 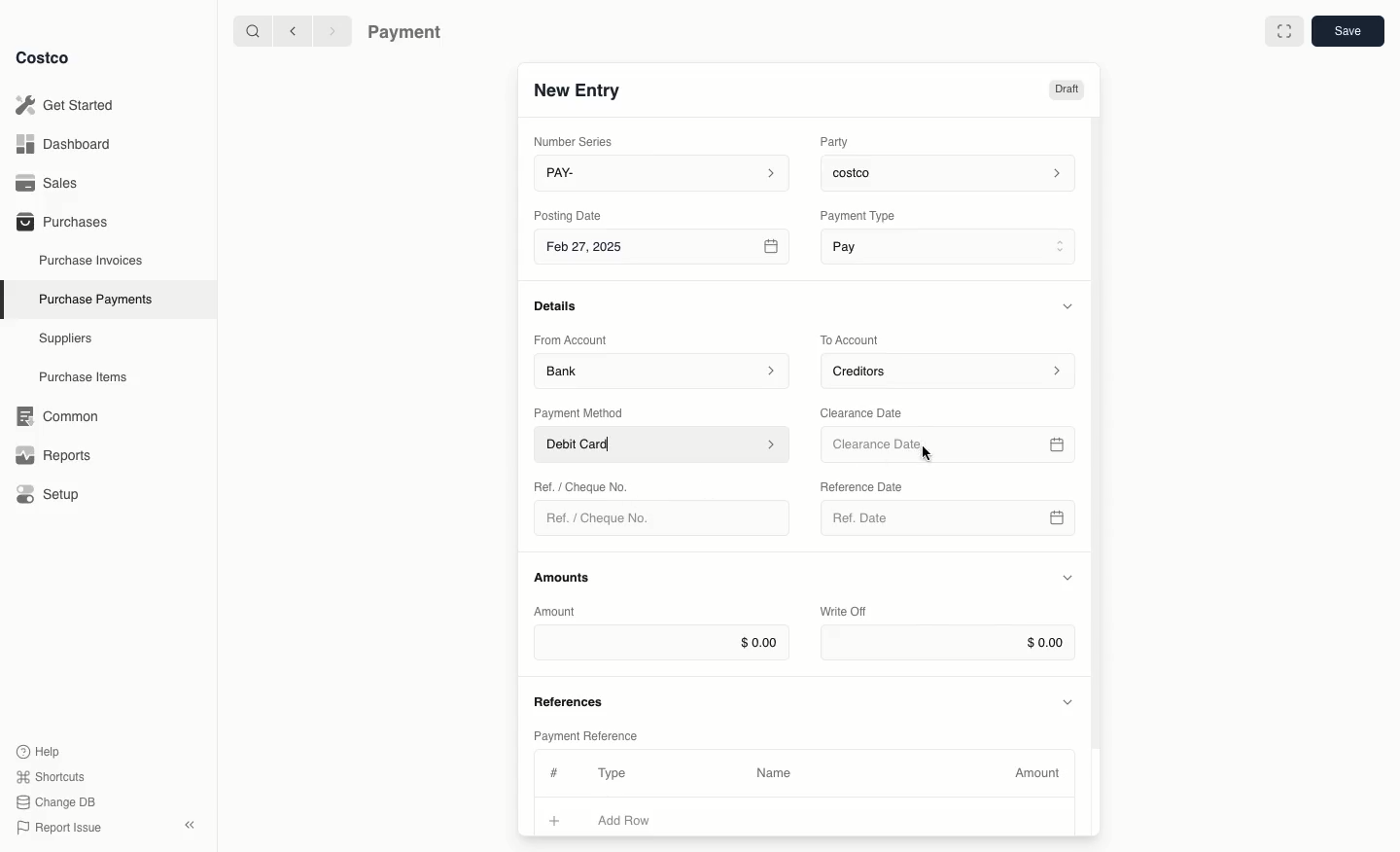 What do you see at coordinates (293, 30) in the screenshot?
I see `Back` at bounding box center [293, 30].